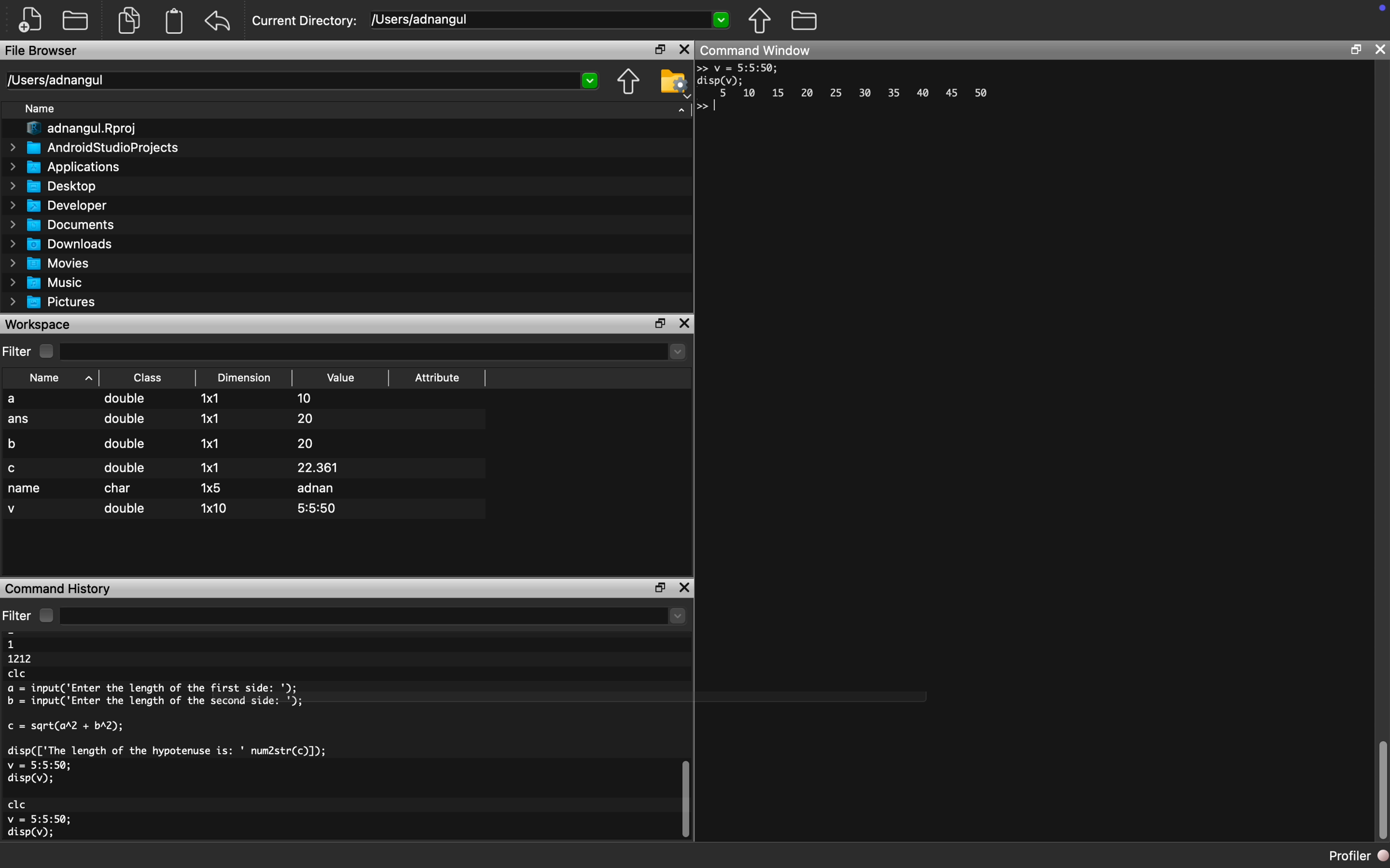  I want to click on Desktop, so click(52, 187).